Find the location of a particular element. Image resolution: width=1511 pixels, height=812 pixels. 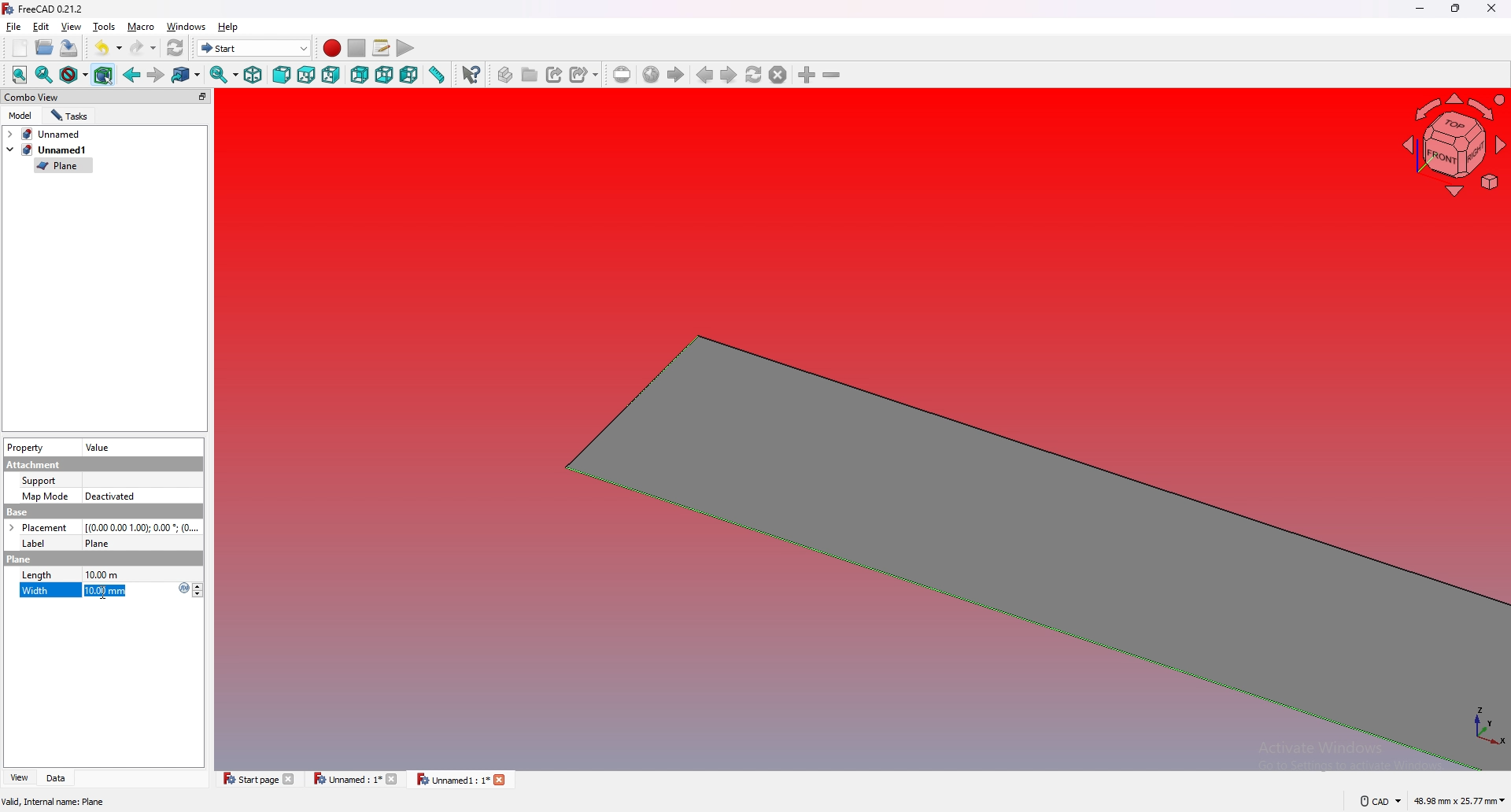

create link is located at coordinates (556, 75).